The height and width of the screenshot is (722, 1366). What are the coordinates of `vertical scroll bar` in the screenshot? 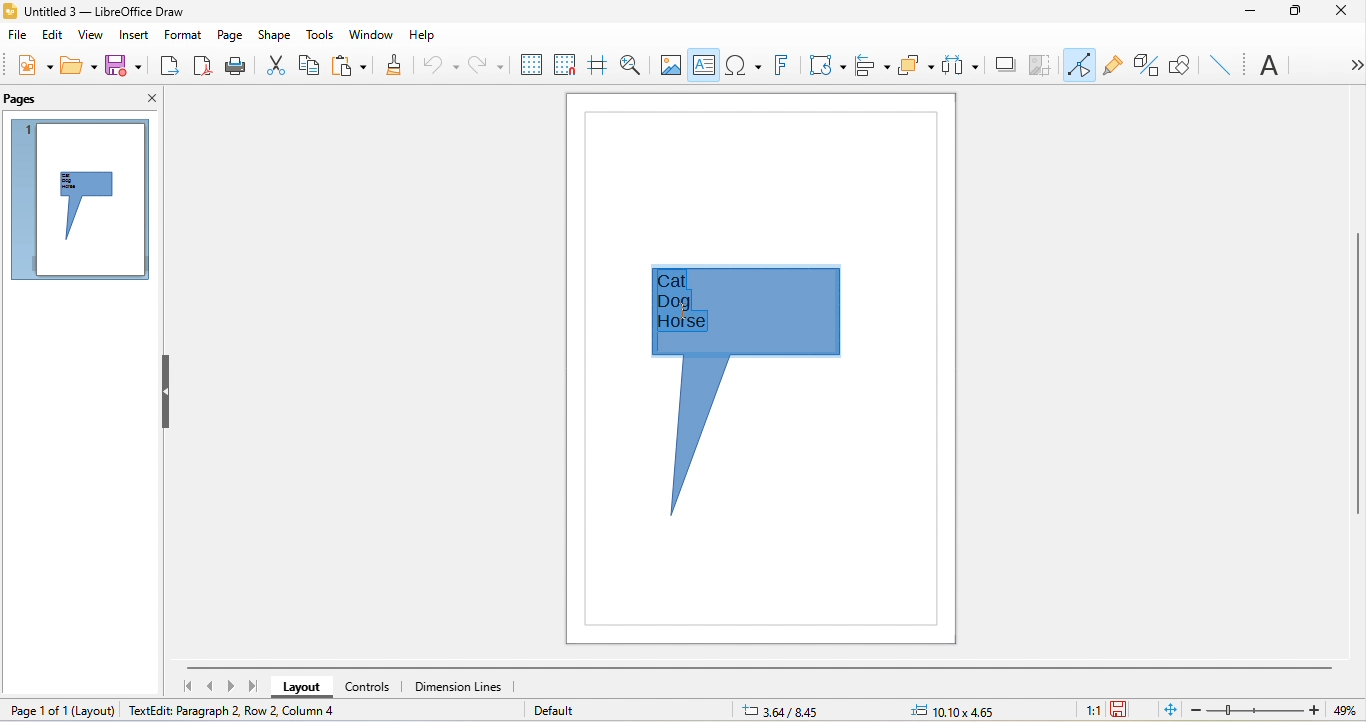 It's located at (1357, 377).